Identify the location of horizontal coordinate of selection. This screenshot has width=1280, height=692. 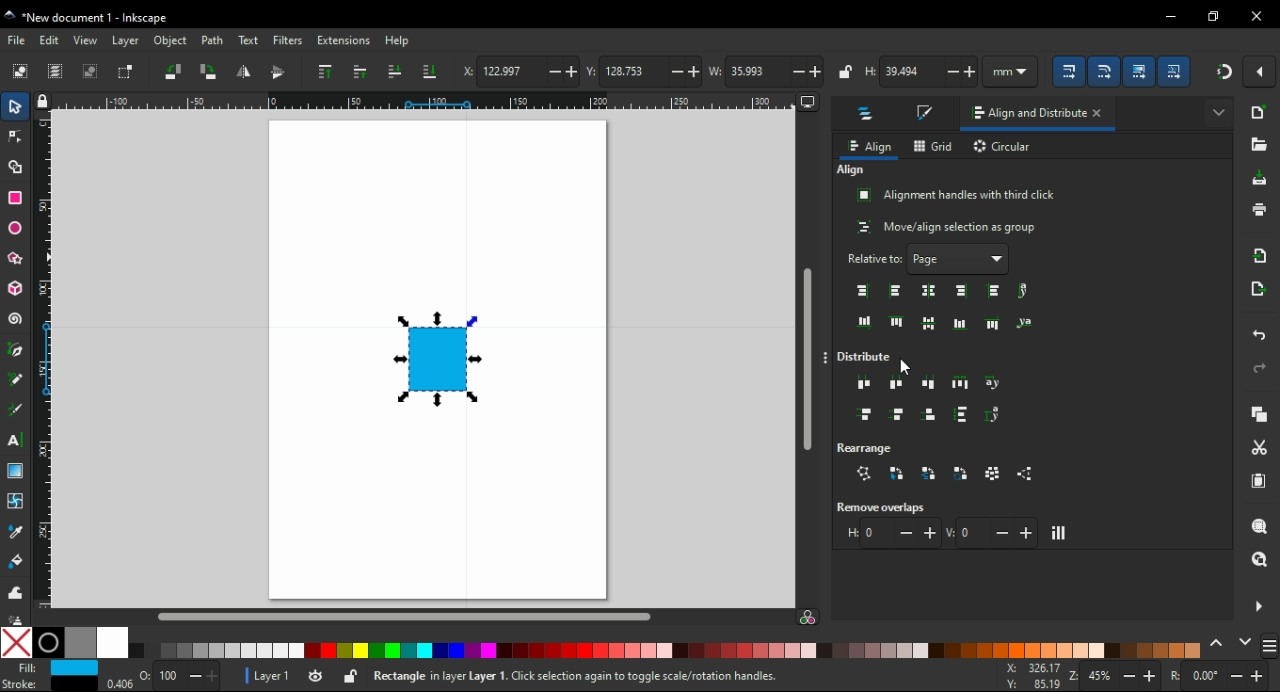
(519, 73).